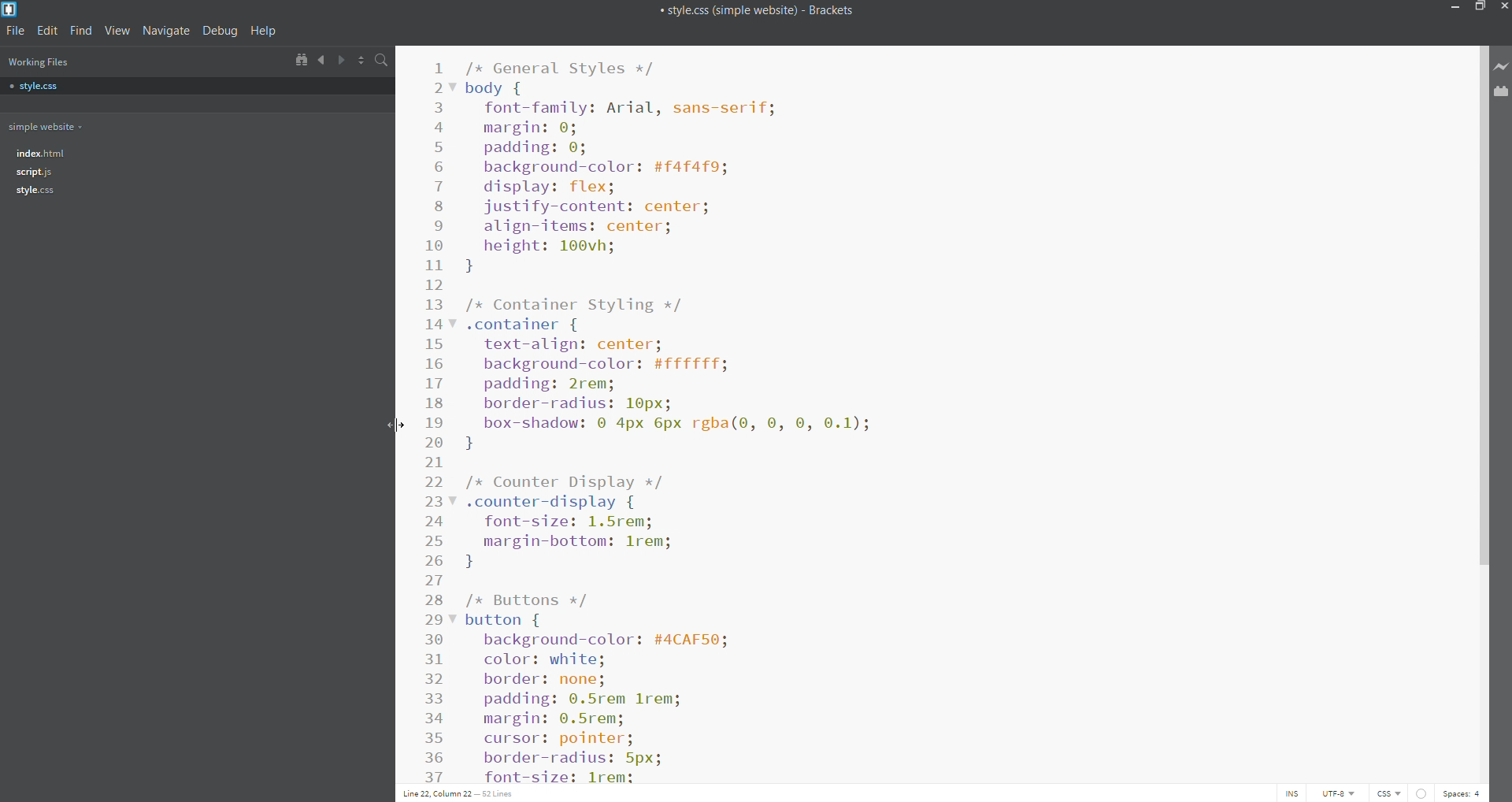 This screenshot has width=1512, height=802. I want to click on file tree- index.html, so click(43, 151).